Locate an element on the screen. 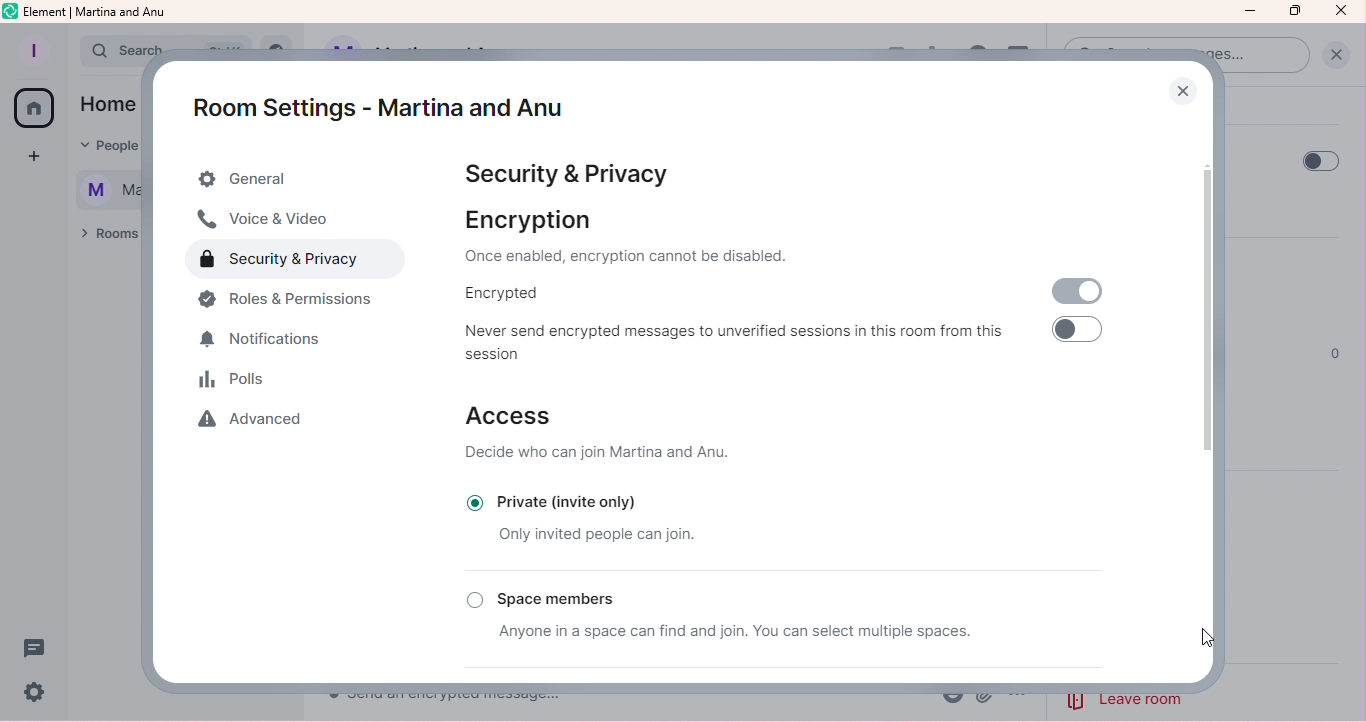  Space members is located at coordinates (553, 596).